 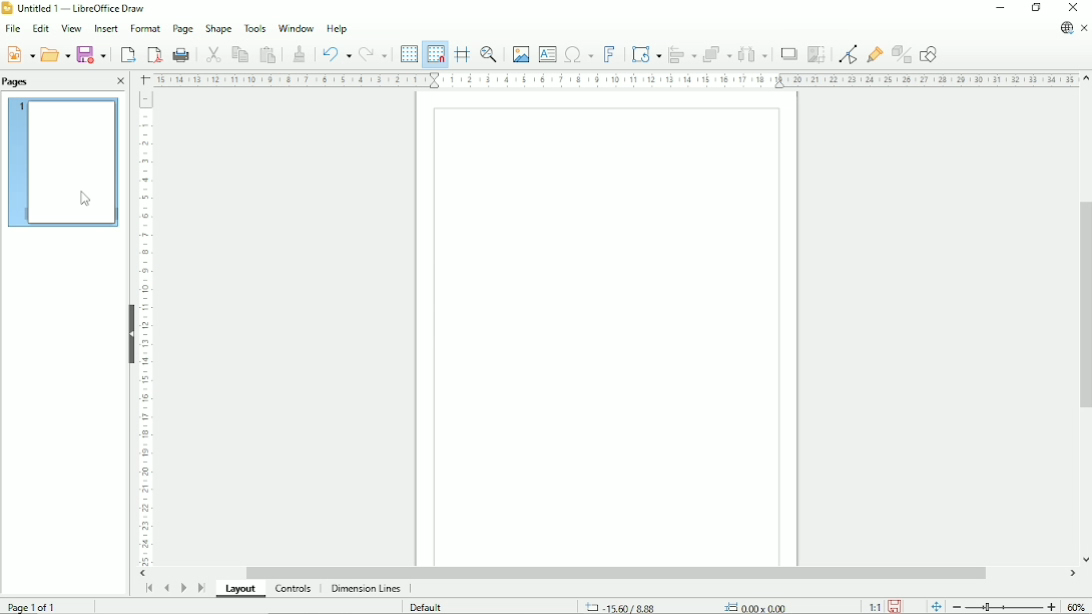 I want to click on Hide, so click(x=131, y=330).